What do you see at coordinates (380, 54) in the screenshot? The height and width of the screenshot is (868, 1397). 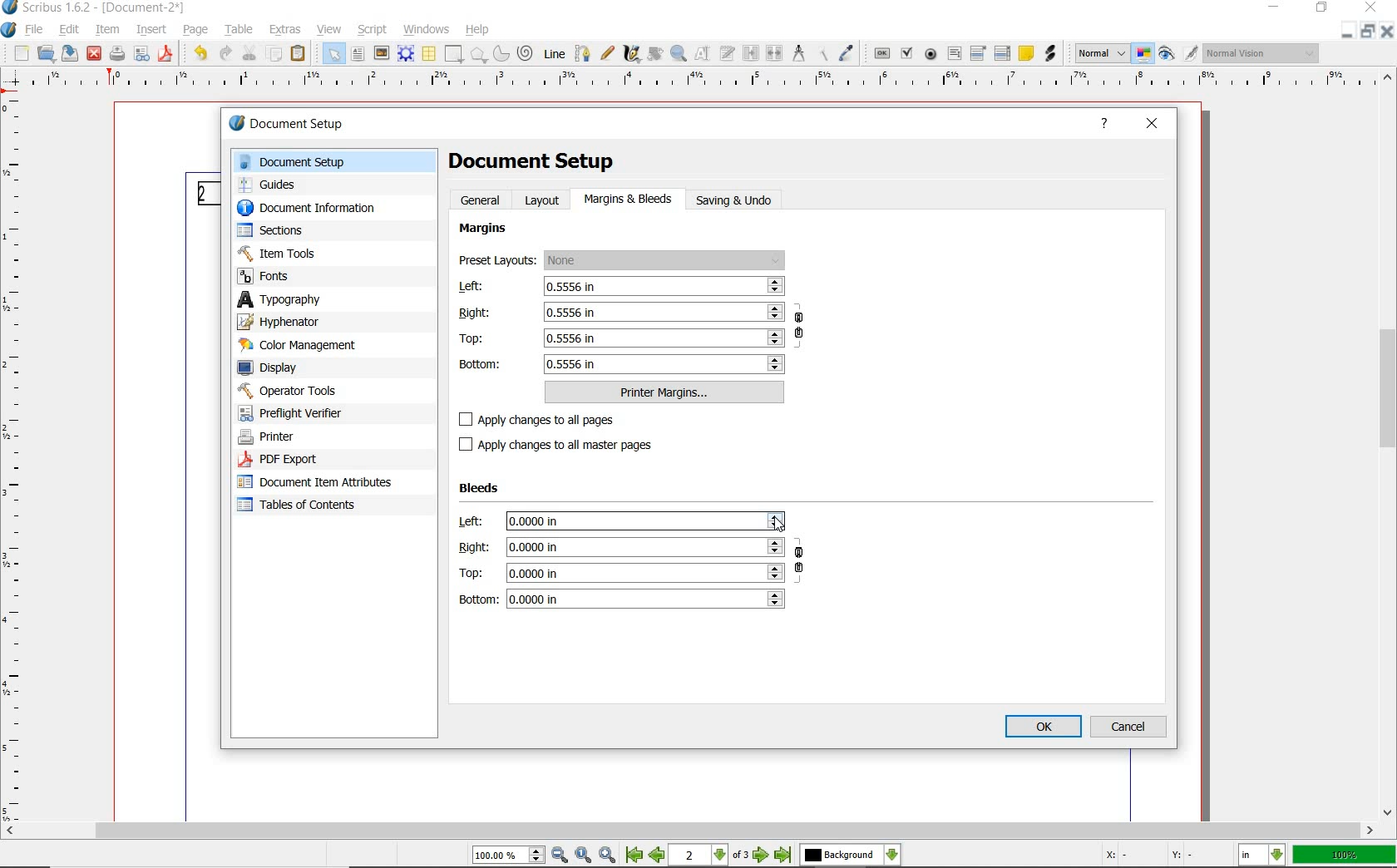 I see `image frame` at bounding box center [380, 54].